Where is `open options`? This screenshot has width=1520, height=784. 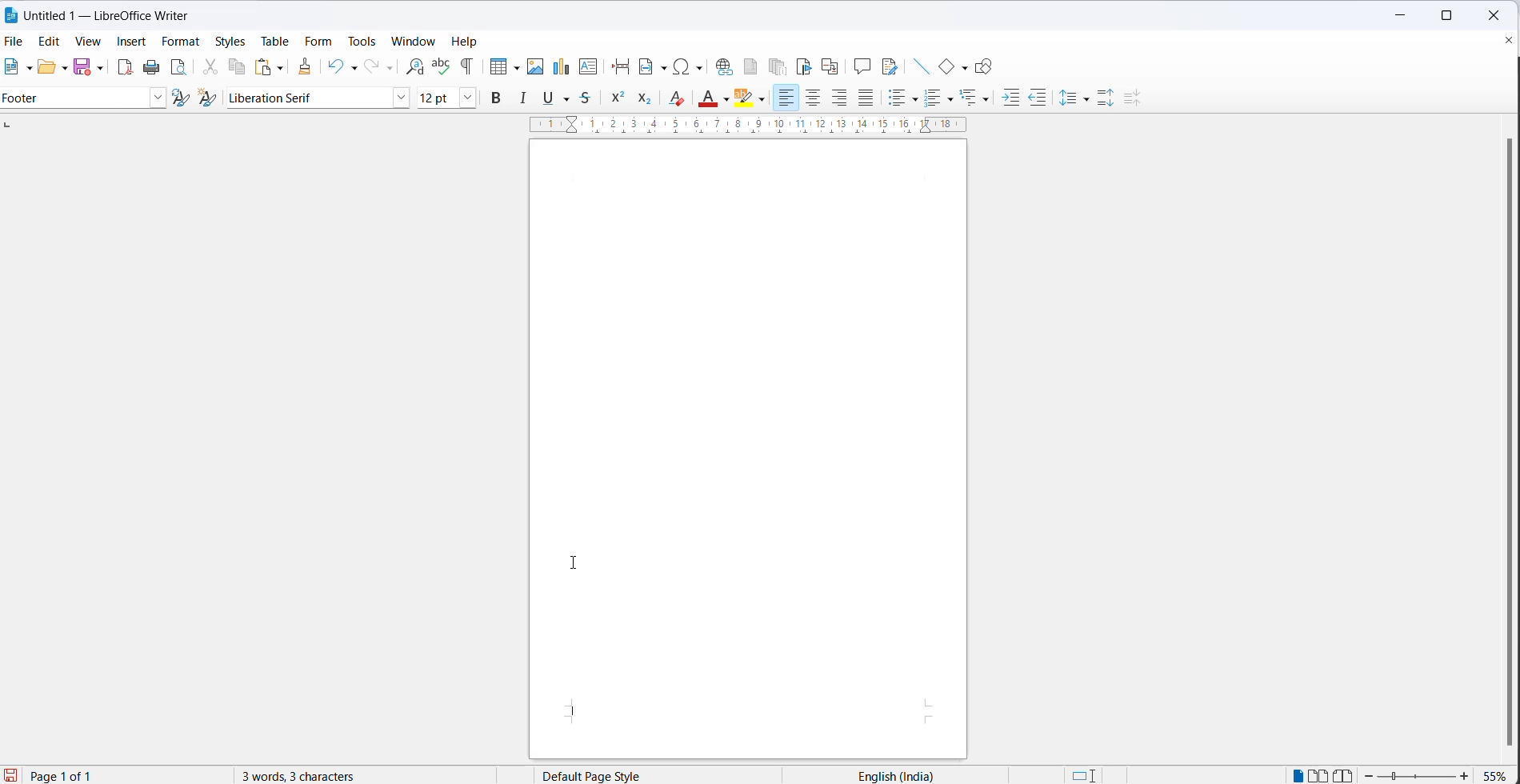
open options is located at coordinates (59, 69).